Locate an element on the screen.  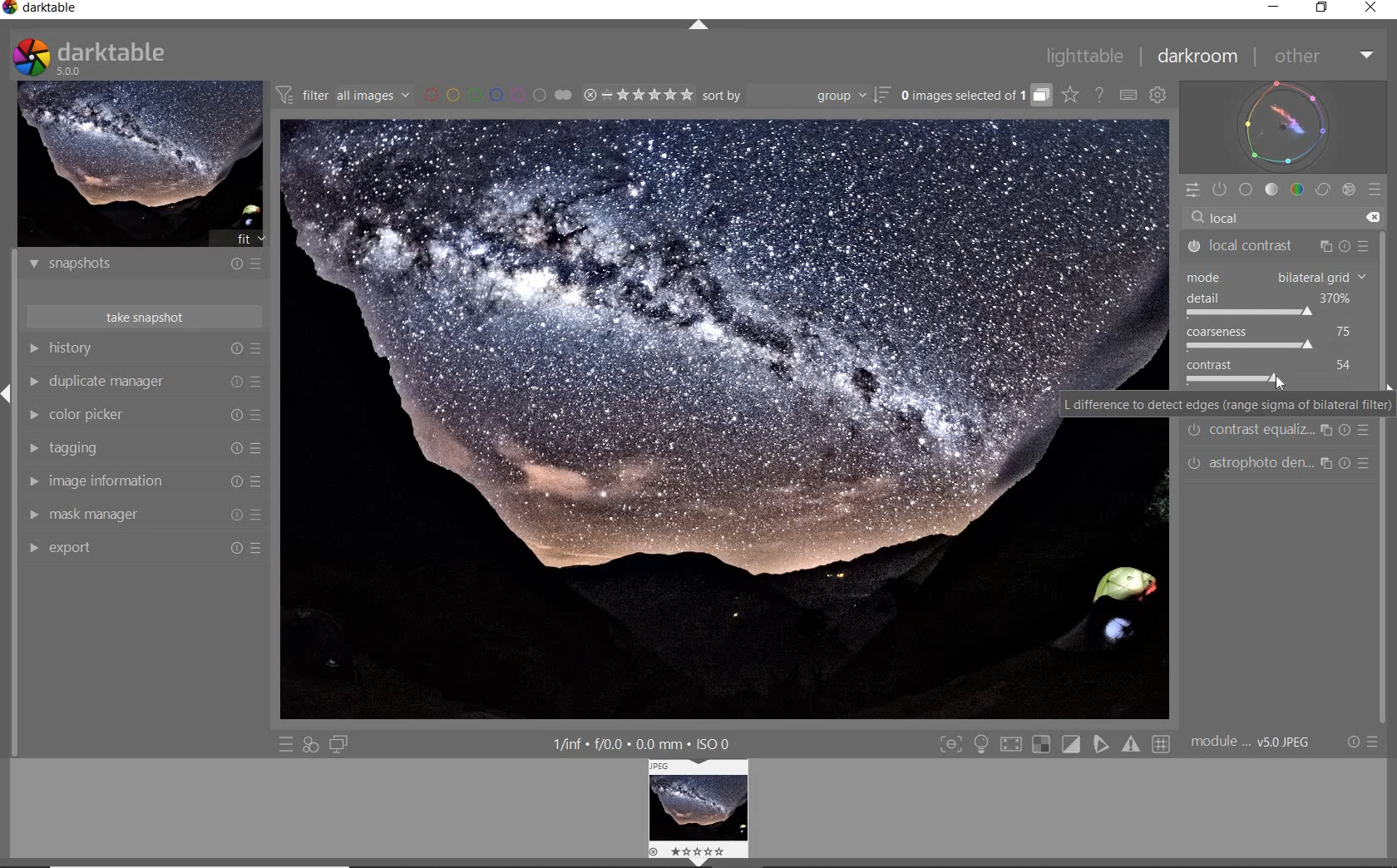
reset parameters is located at coordinates (1369, 463).